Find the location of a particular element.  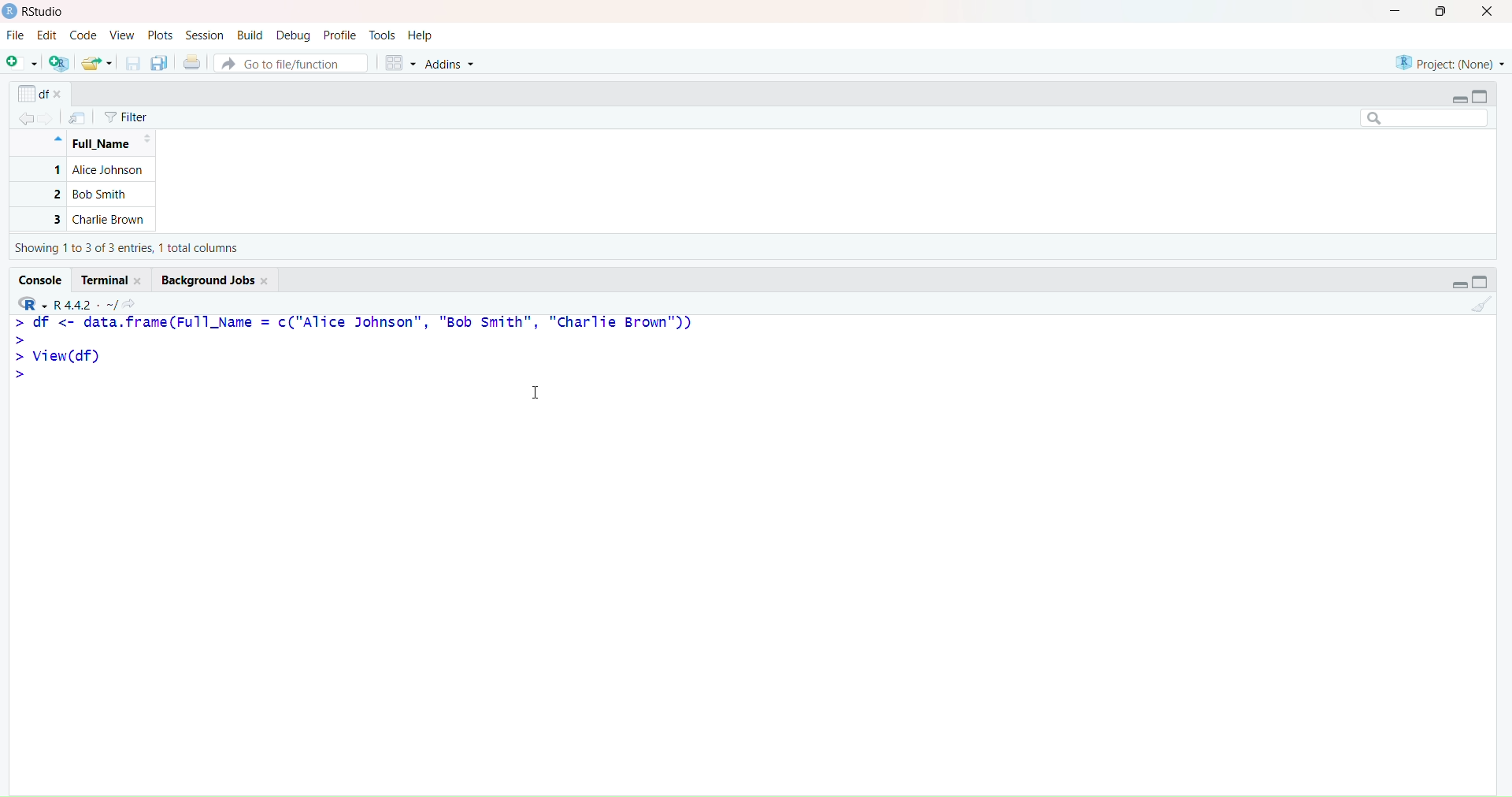

1 Alice Johnson
2 Bob Smith
3 Charlie Brown is located at coordinates (84, 195).